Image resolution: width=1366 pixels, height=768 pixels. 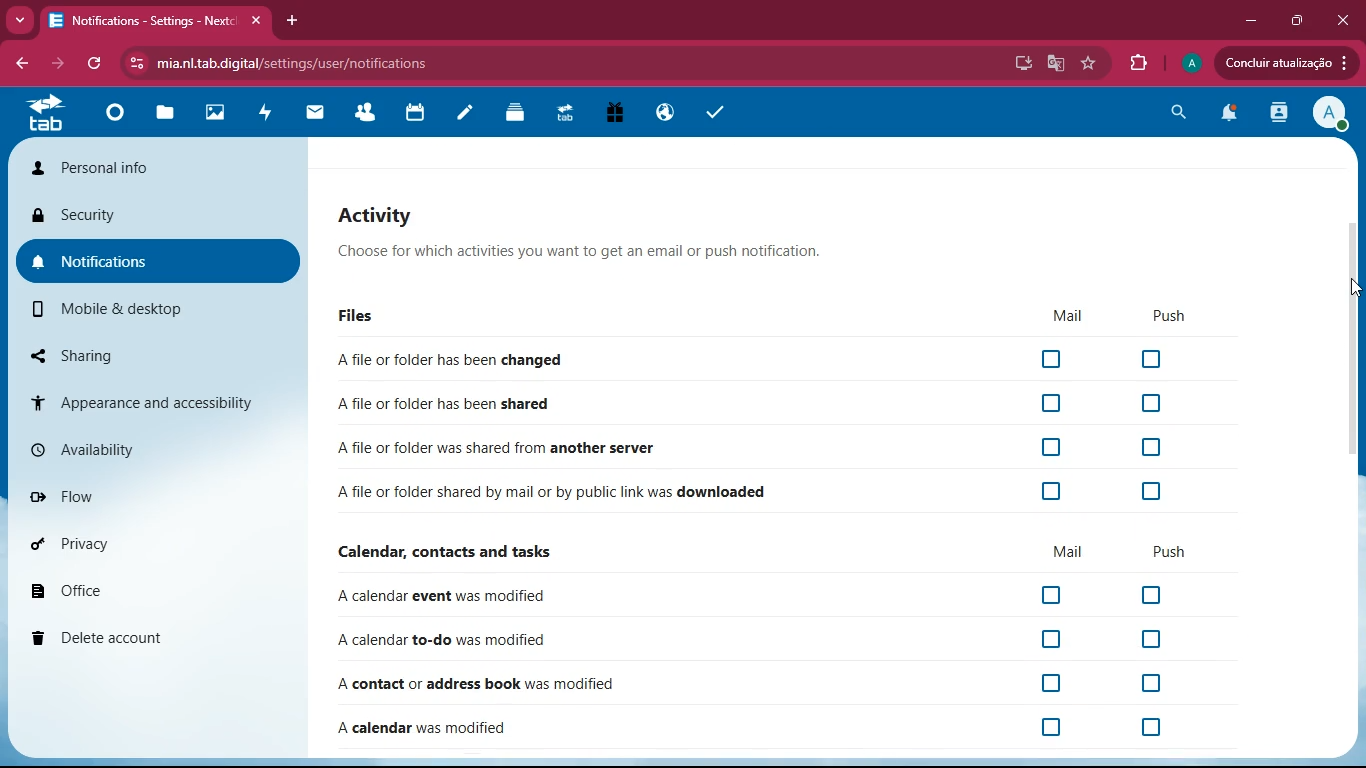 What do you see at coordinates (1149, 593) in the screenshot?
I see `off` at bounding box center [1149, 593].